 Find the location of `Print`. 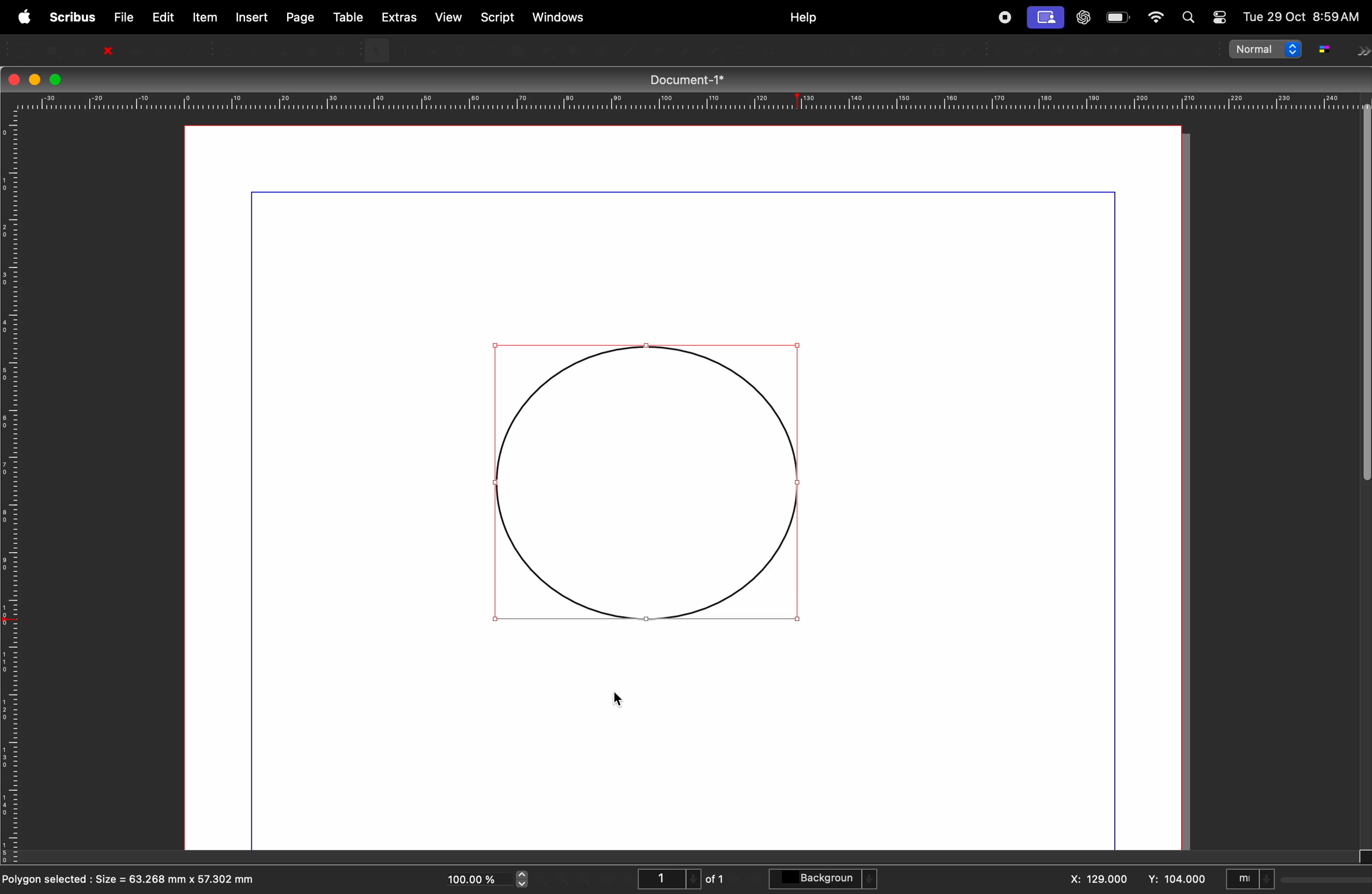

Print is located at coordinates (134, 50).